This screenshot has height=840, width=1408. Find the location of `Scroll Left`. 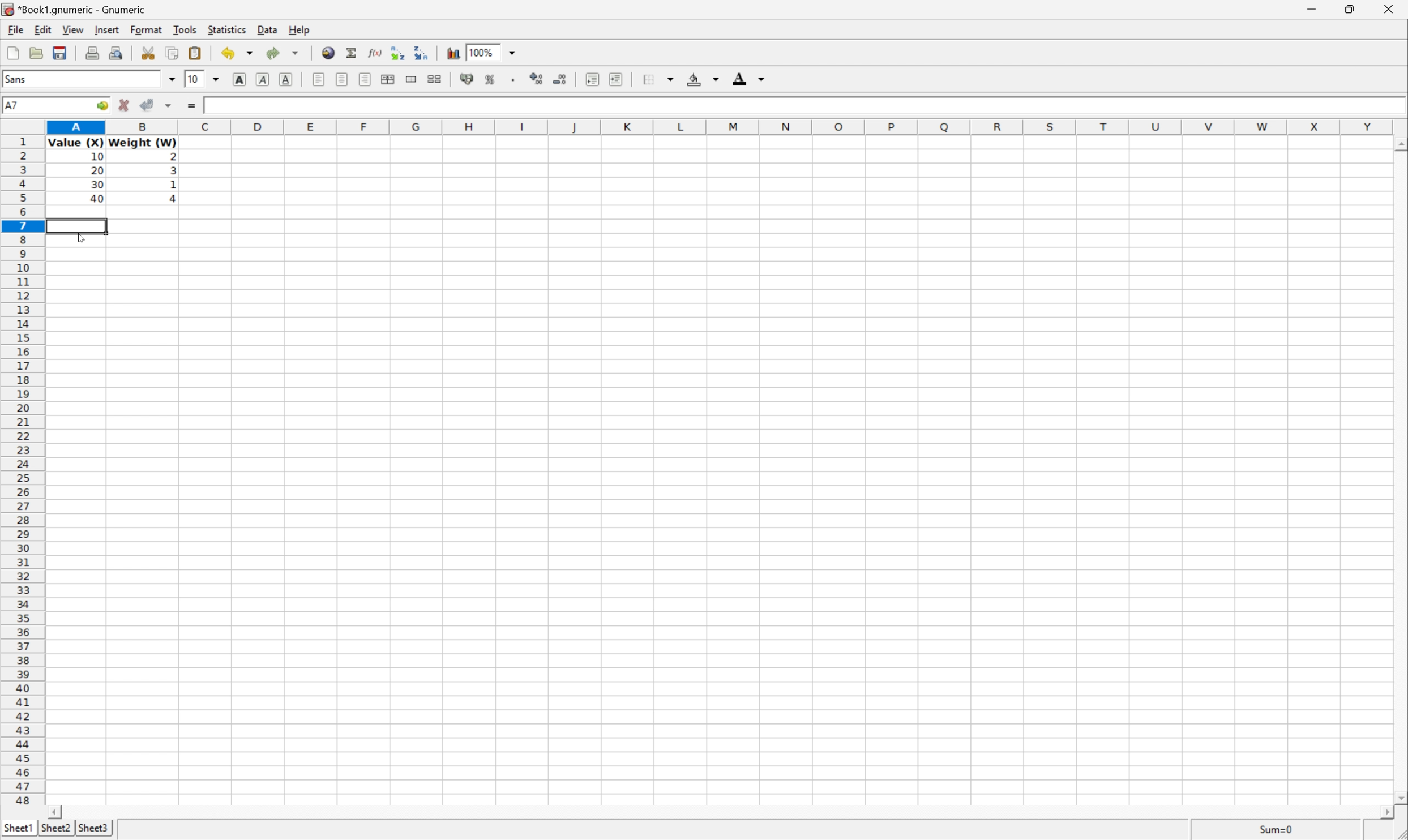

Scroll Left is located at coordinates (55, 812).